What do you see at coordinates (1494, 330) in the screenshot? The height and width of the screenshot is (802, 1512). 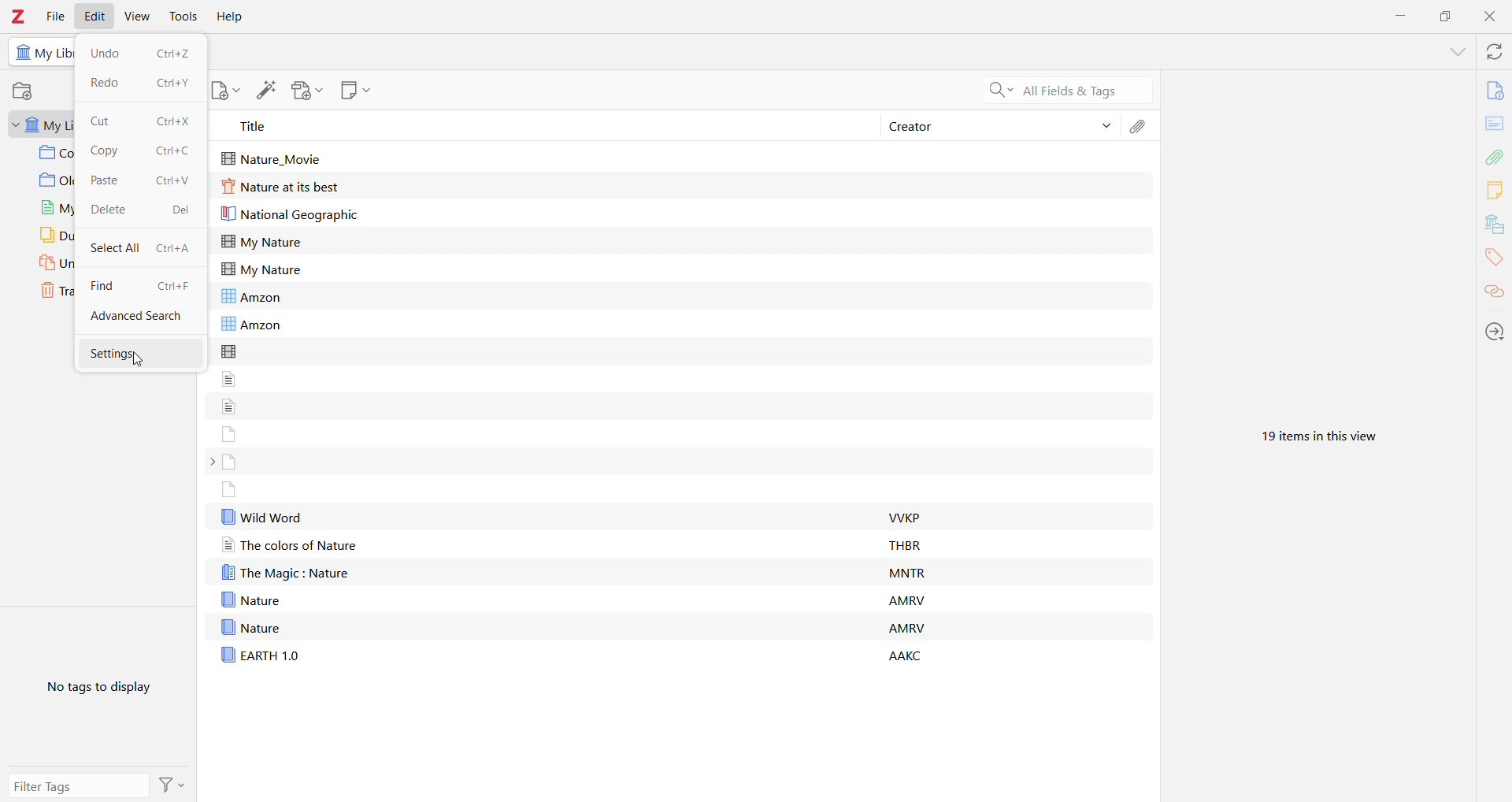 I see `Locate` at bounding box center [1494, 330].